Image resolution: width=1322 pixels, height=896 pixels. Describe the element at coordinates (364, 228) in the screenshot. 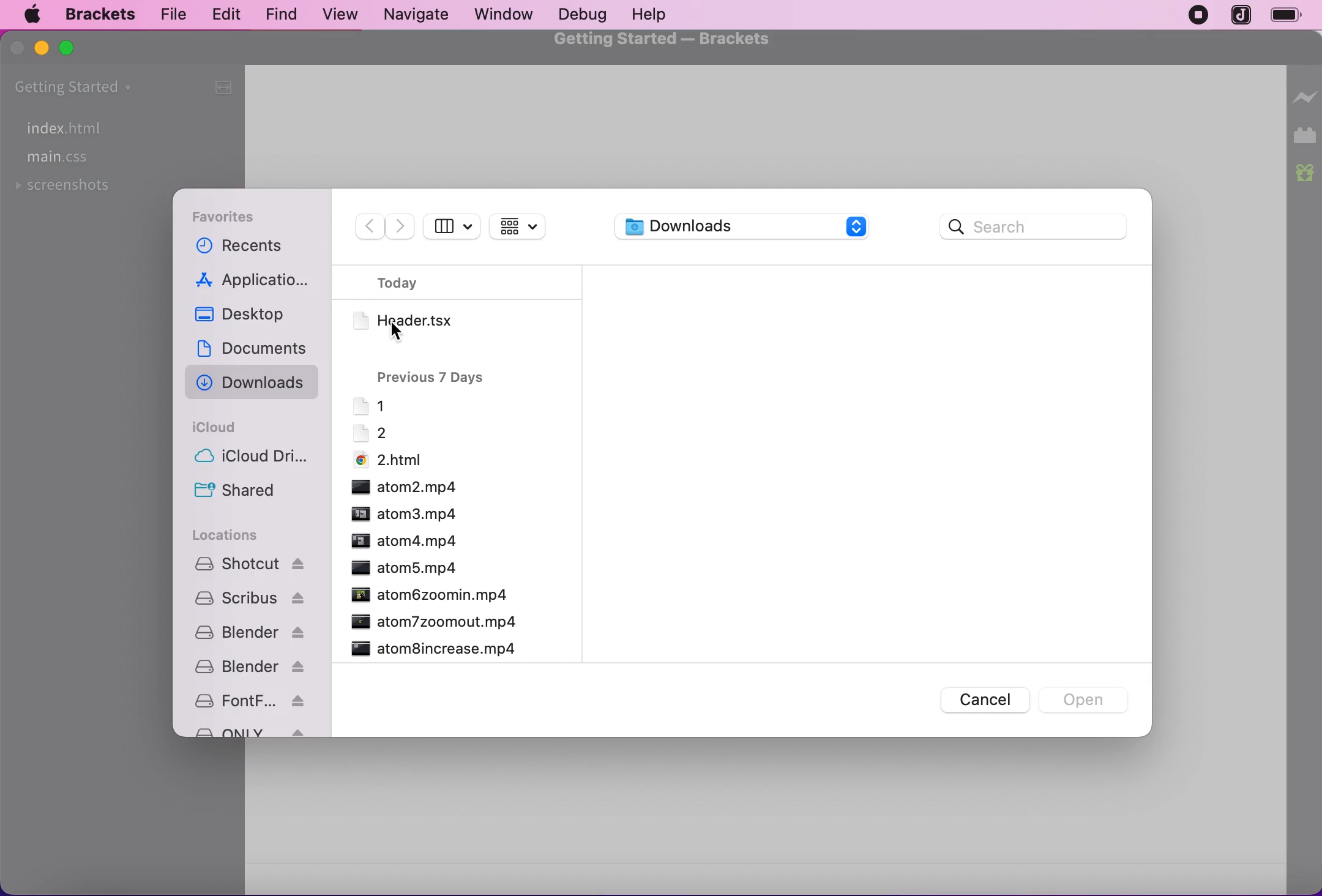

I see `back` at that location.